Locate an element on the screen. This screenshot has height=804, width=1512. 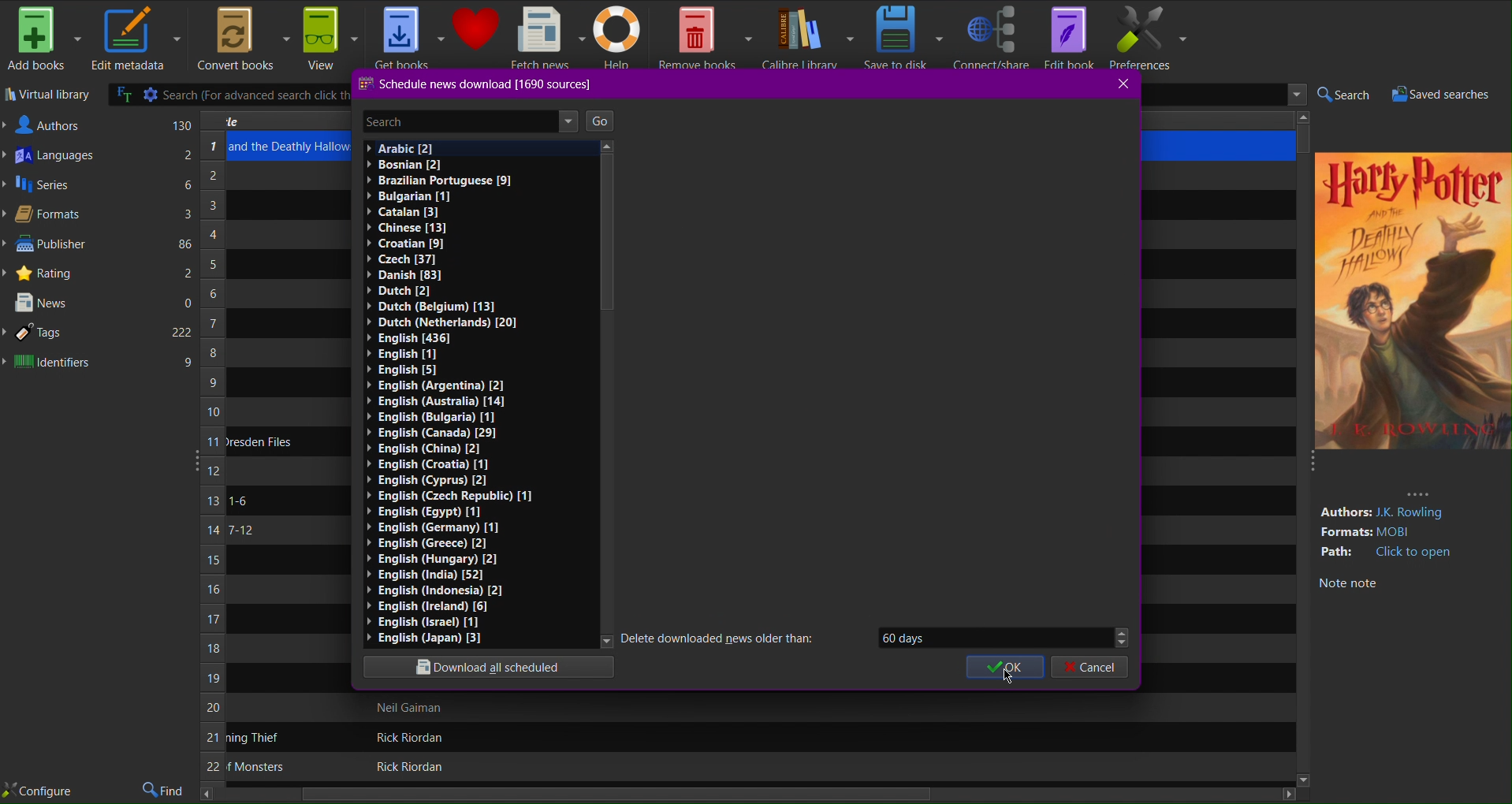
Saved Searches is located at coordinates (1447, 95).